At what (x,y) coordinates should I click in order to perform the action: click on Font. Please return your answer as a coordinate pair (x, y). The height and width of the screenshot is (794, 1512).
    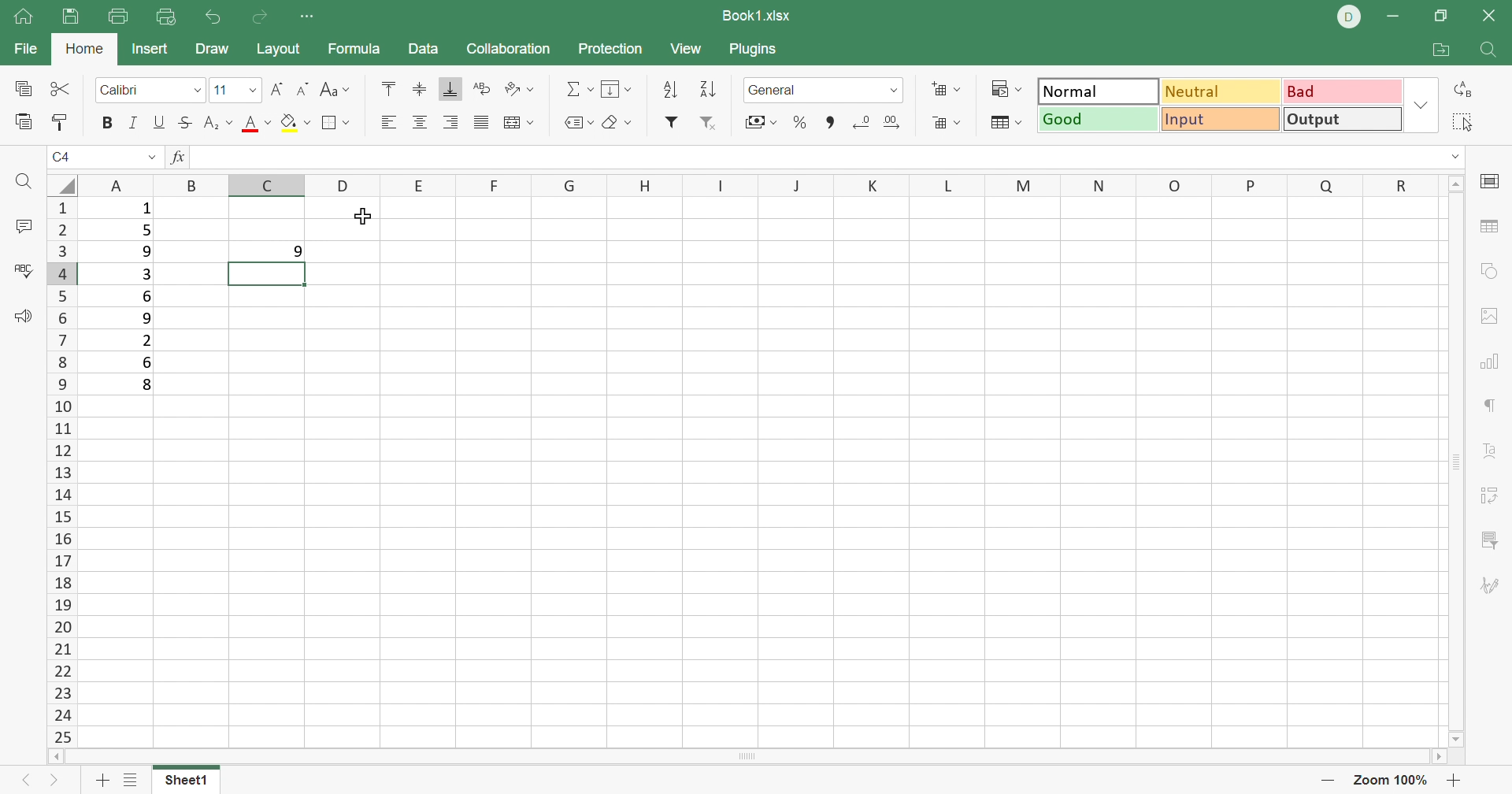
    Looking at the image, I should click on (138, 90).